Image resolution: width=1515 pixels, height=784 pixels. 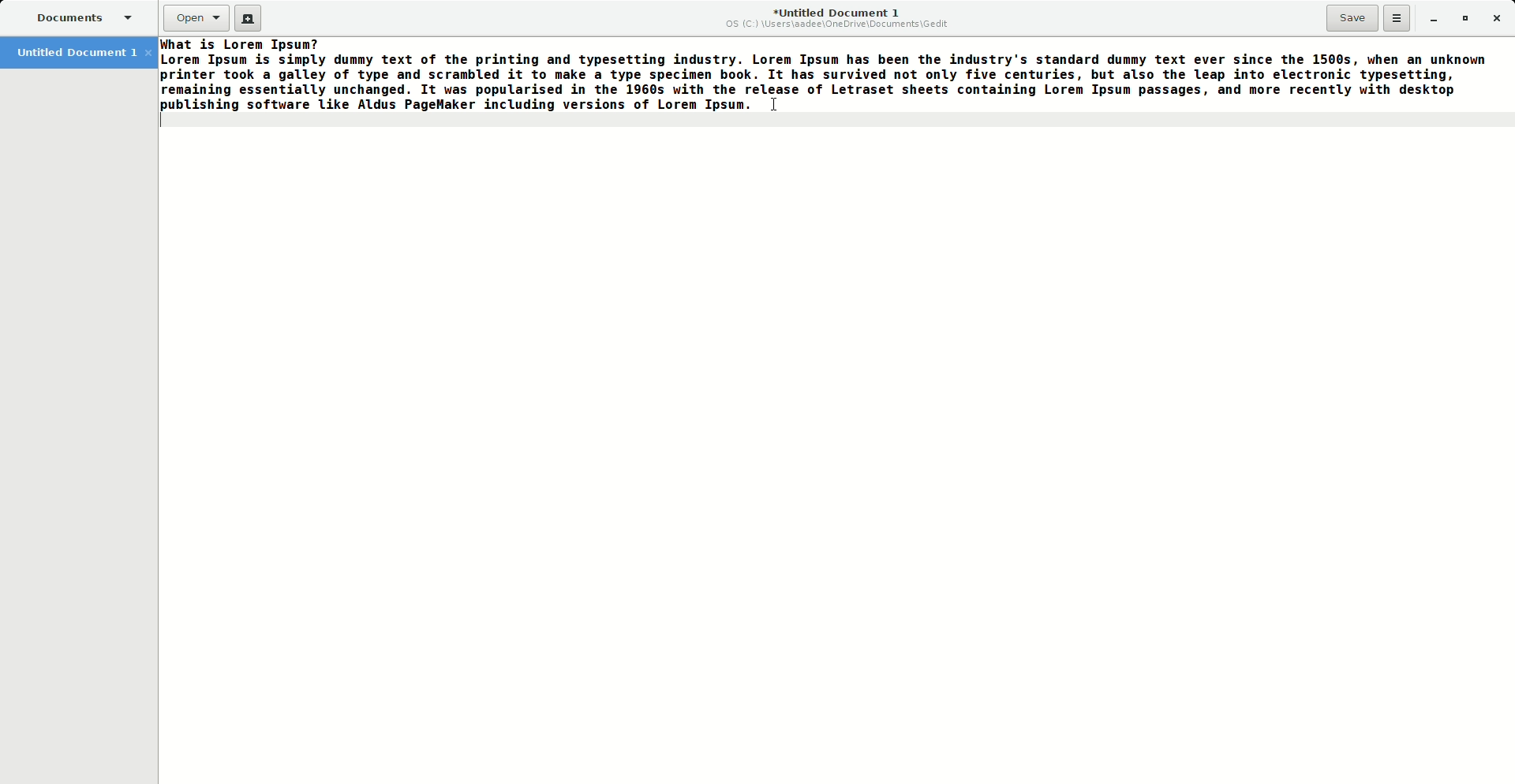 I want to click on Documents, so click(x=82, y=17).